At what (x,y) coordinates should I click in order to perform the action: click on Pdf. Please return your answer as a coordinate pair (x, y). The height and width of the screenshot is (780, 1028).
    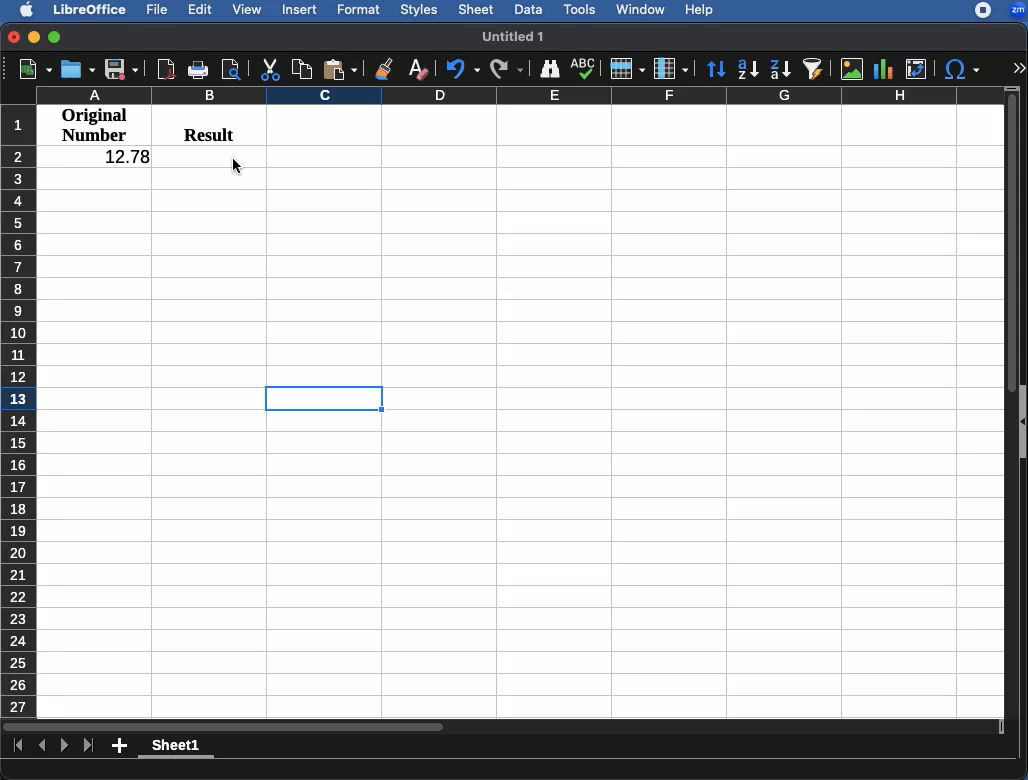
    Looking at the image, I should click on (165, 68).